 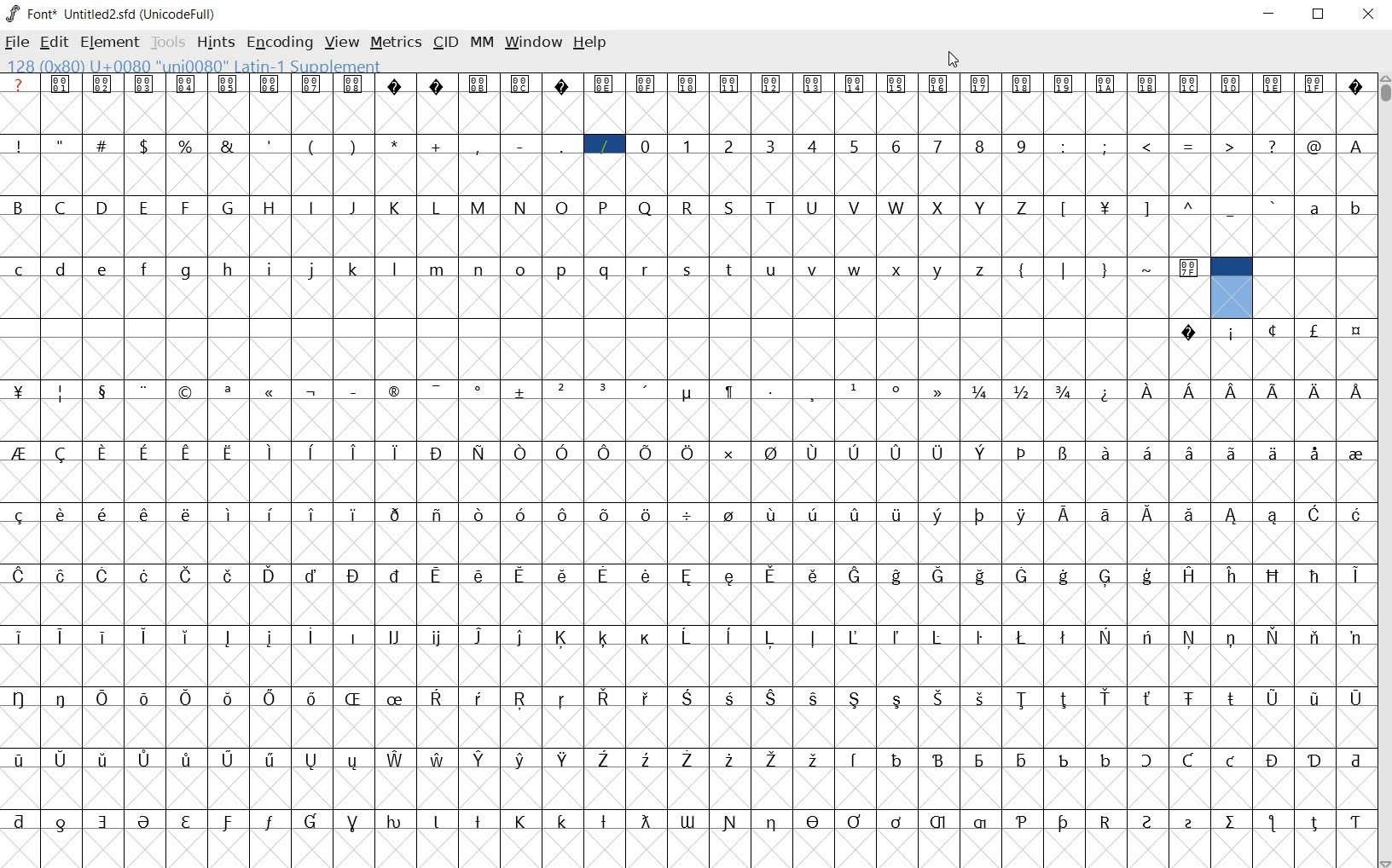 What do you see at coordinates (1023, 513) in the screenshot?
I see `Symbol` at bounding box center [1023, 513].